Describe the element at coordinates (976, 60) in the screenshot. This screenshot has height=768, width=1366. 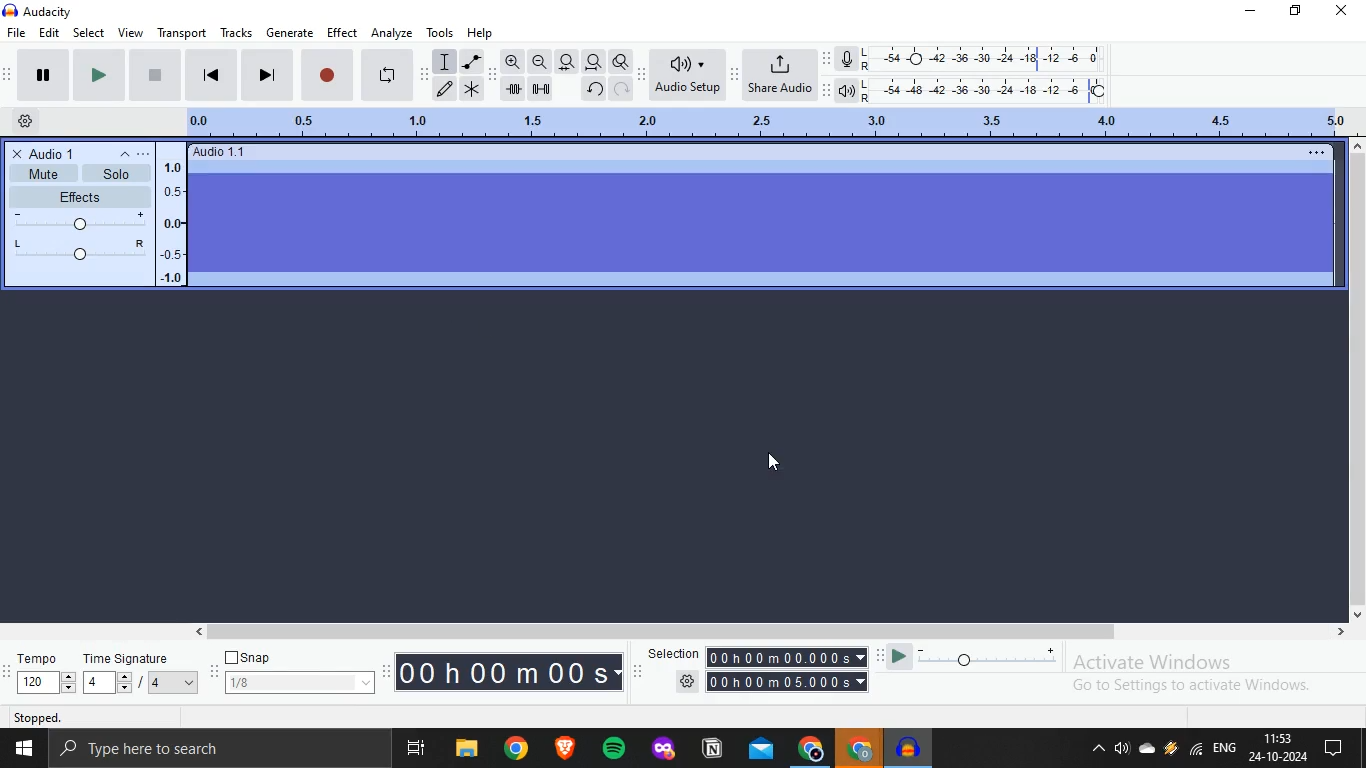
I see `LR Mike` at that location.